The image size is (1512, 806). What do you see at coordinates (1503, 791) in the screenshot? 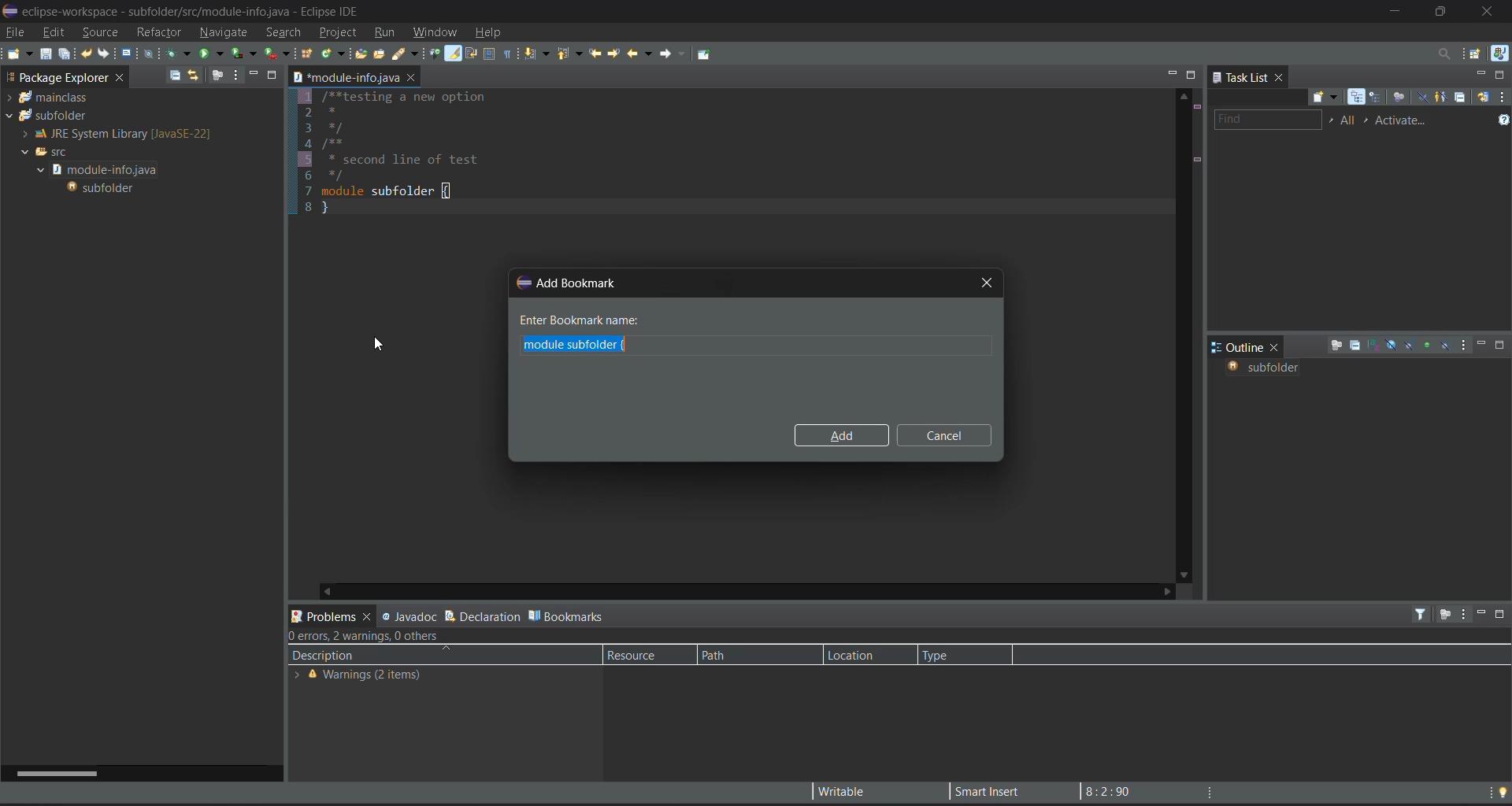
I see `tip of the day` at bounding box center [1503, 791].